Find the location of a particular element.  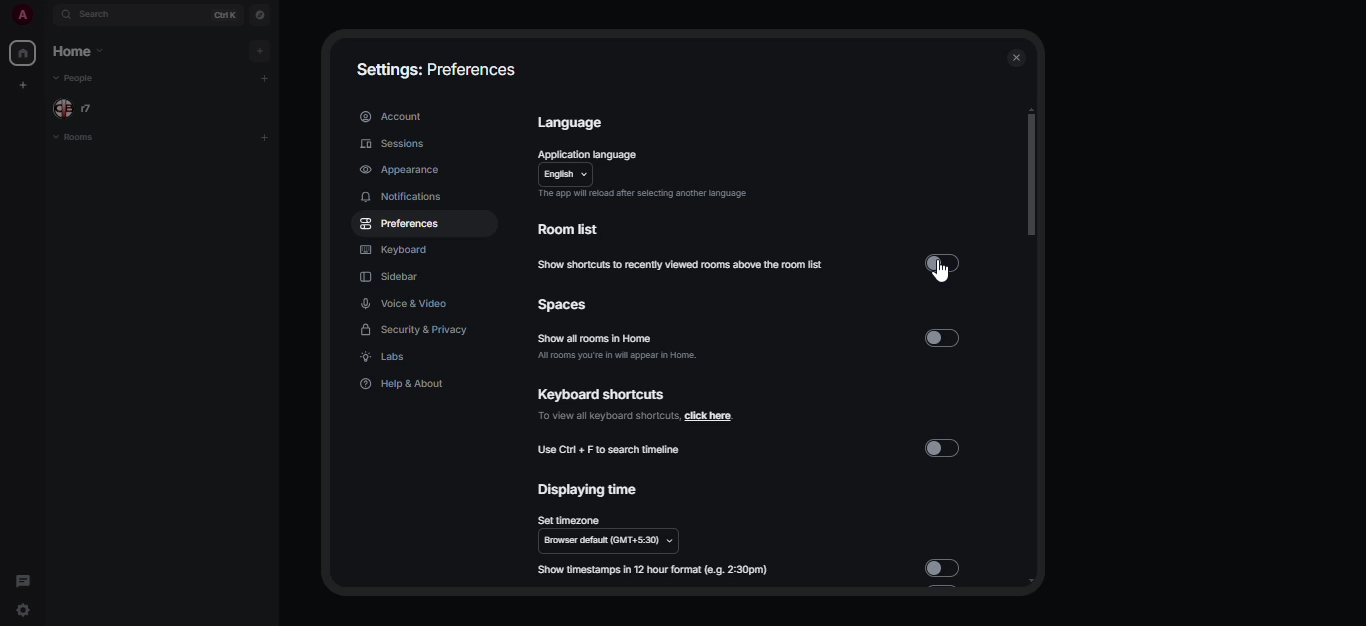

navigator is located at coordinates (262, 14).